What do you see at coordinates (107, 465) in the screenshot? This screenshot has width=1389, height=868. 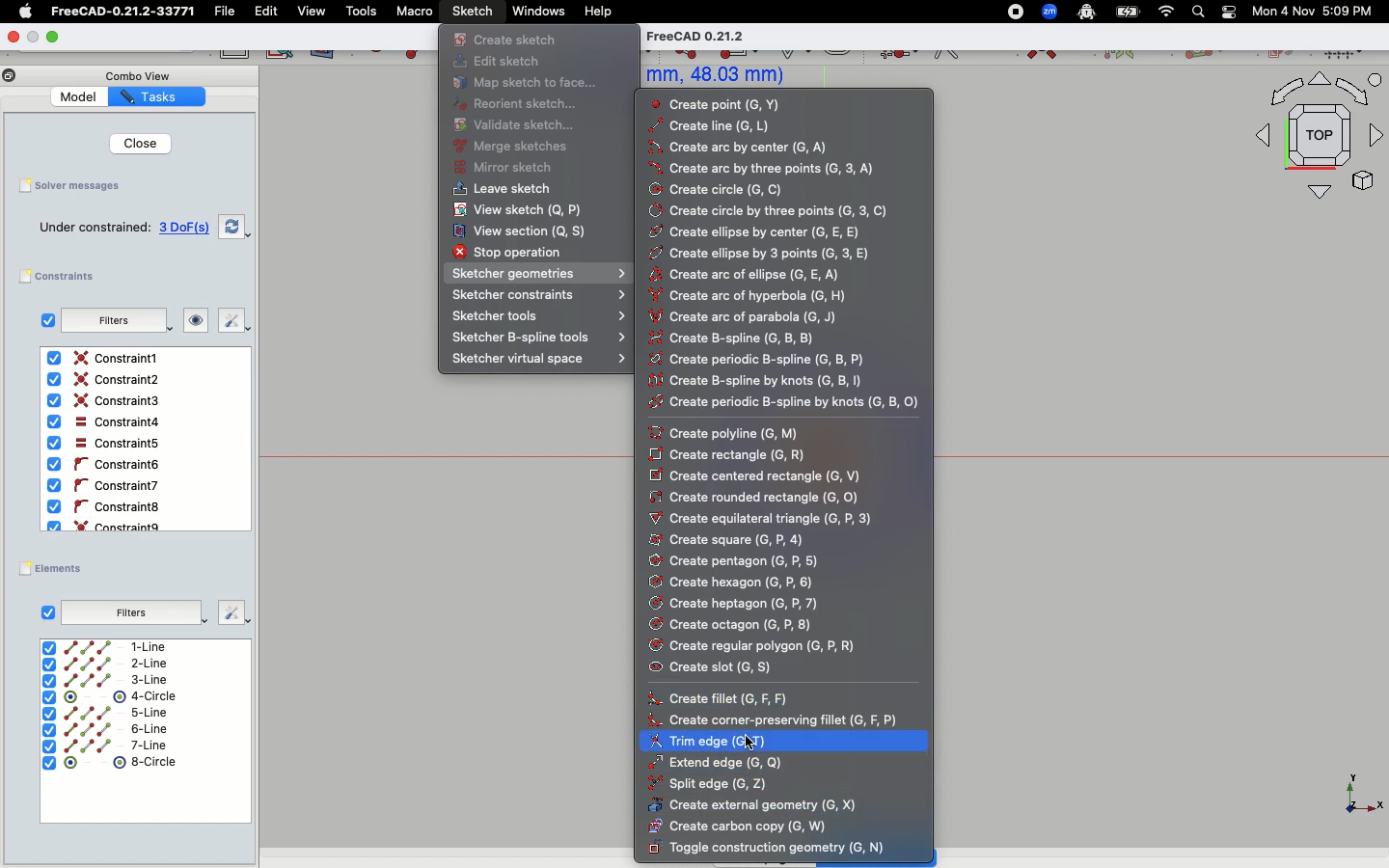 I see `Constaint6` at bounding box center [107, 465].